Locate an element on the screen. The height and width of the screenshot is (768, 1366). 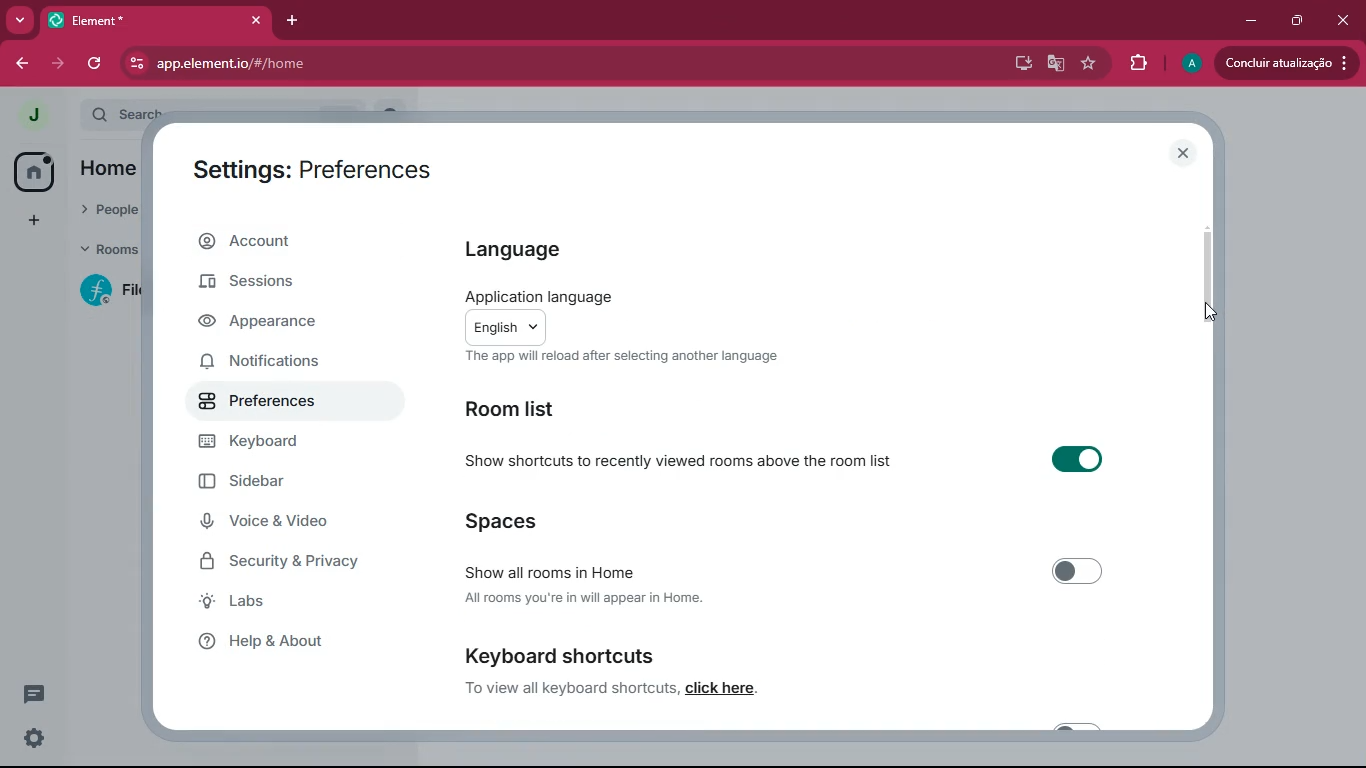
settings is located at coordinates (29, 740).